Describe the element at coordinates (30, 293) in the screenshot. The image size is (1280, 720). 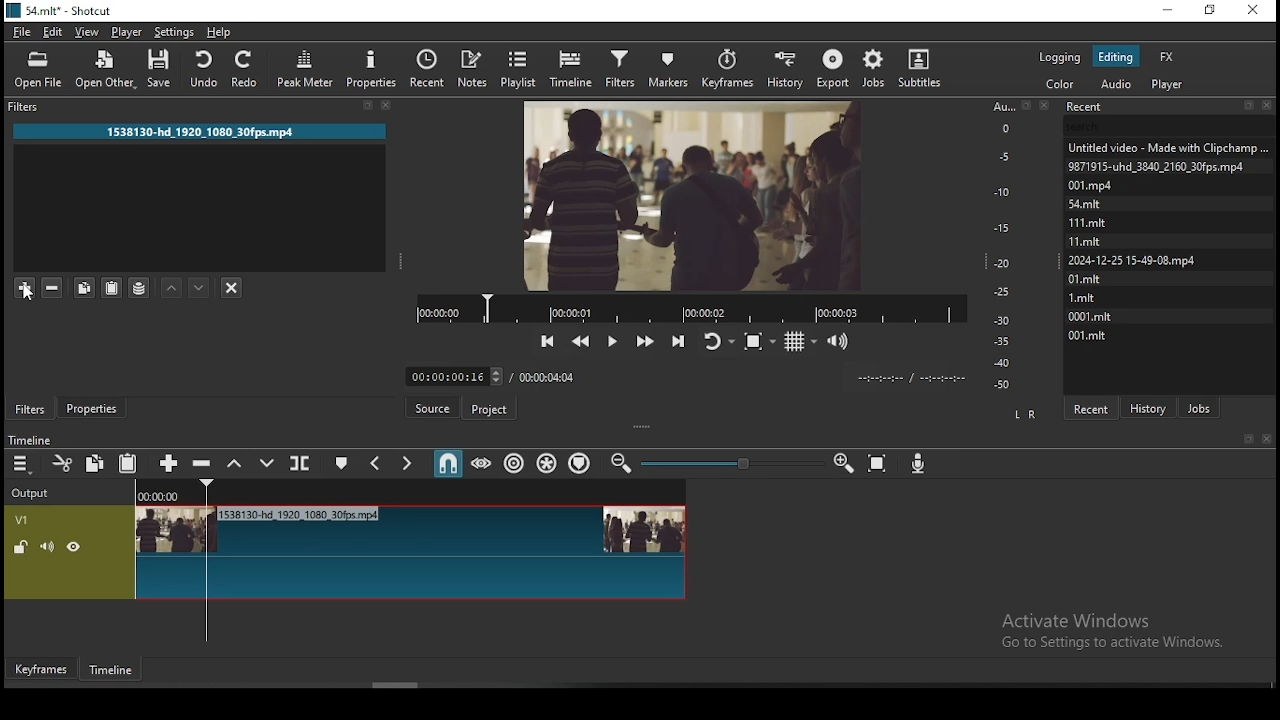
I see `cursor` at that location.